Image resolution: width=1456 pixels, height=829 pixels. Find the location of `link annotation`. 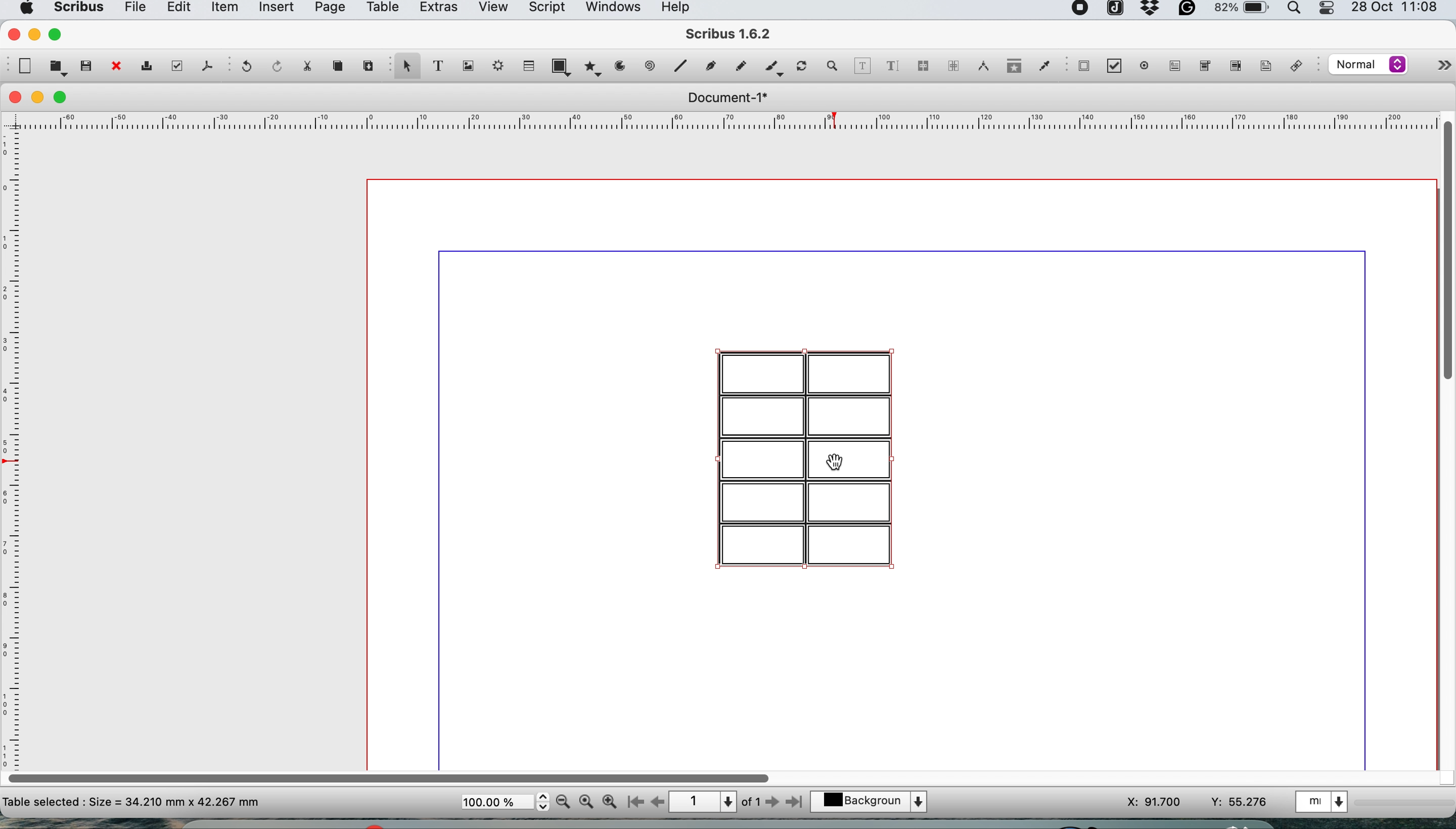

link annotation is located at coordinates (1299, 67).